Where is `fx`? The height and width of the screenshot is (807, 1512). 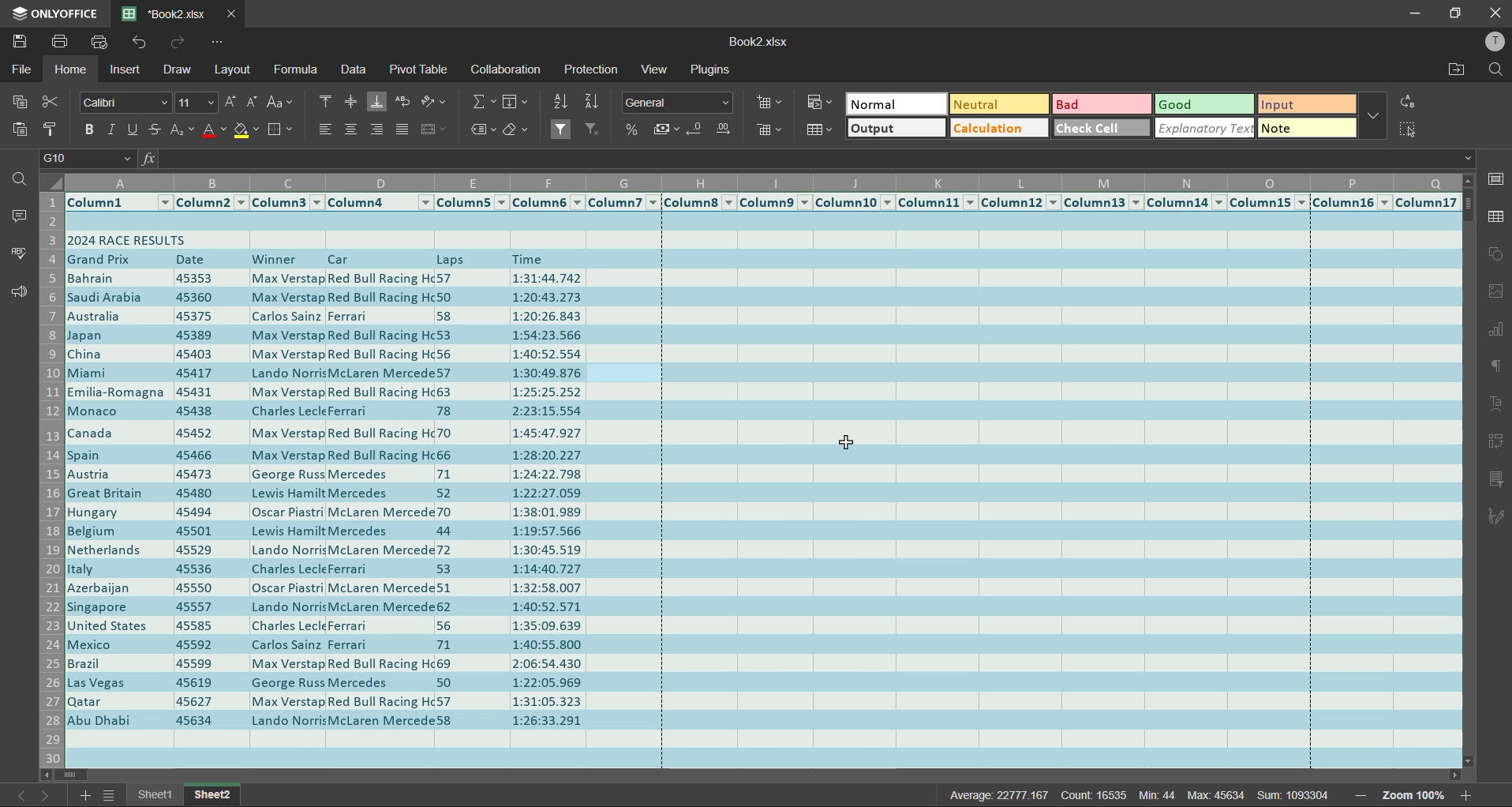 fx is located at coordinates (147, 160).